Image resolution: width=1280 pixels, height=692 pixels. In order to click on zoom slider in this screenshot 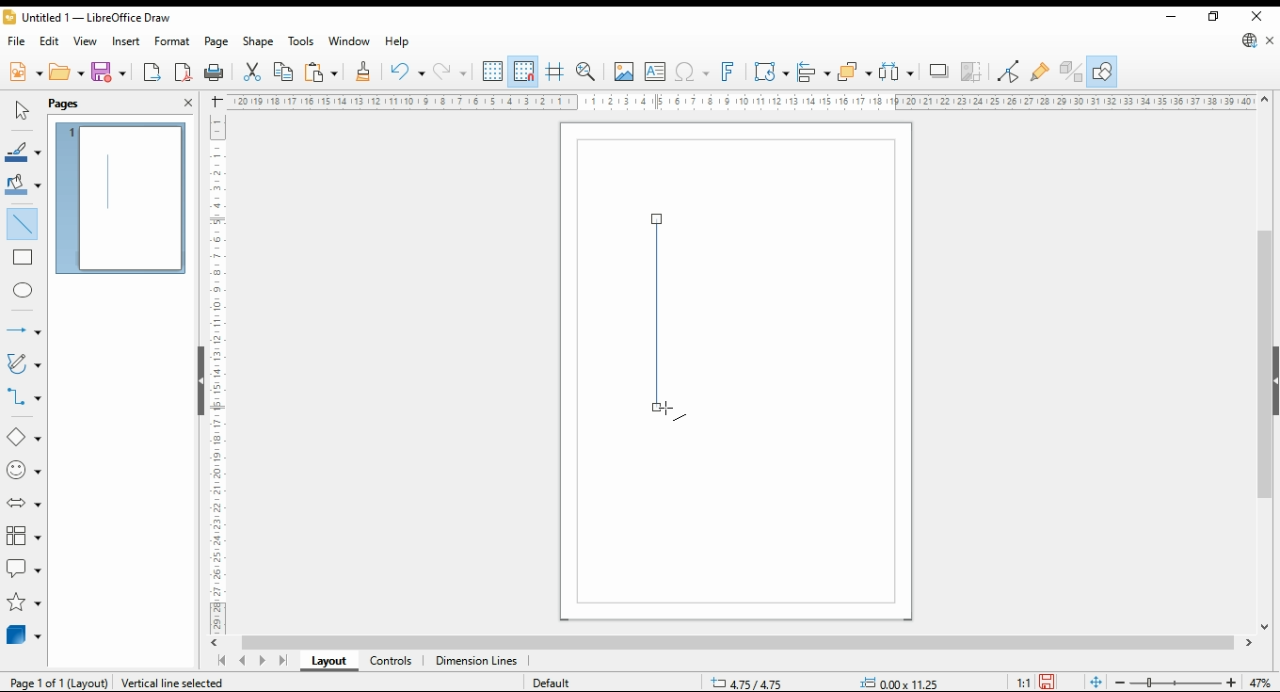, I will do `click(1176, 684)`.